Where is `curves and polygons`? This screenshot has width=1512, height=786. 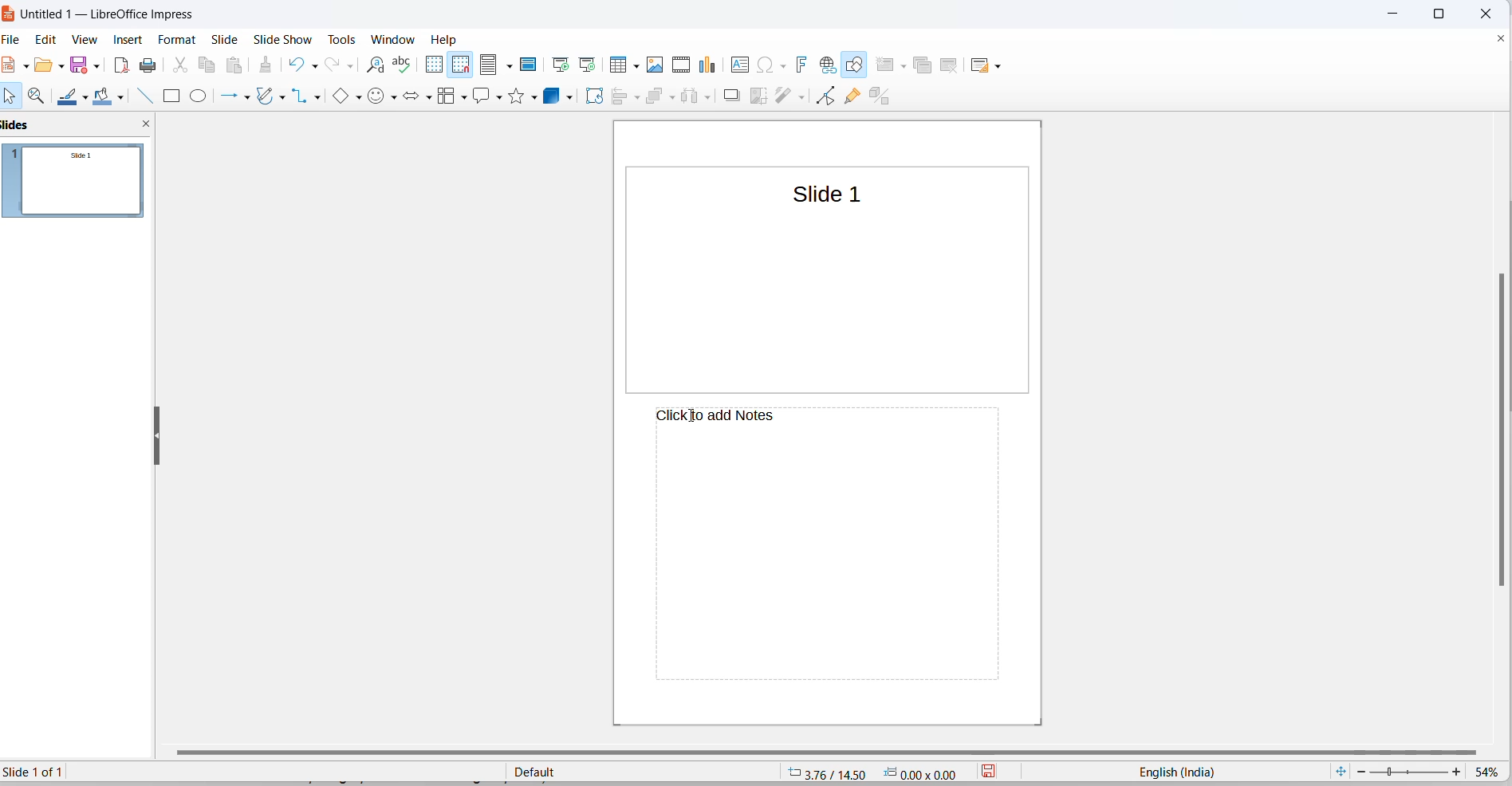
curves and polygons is located at coordinates (267, 98).